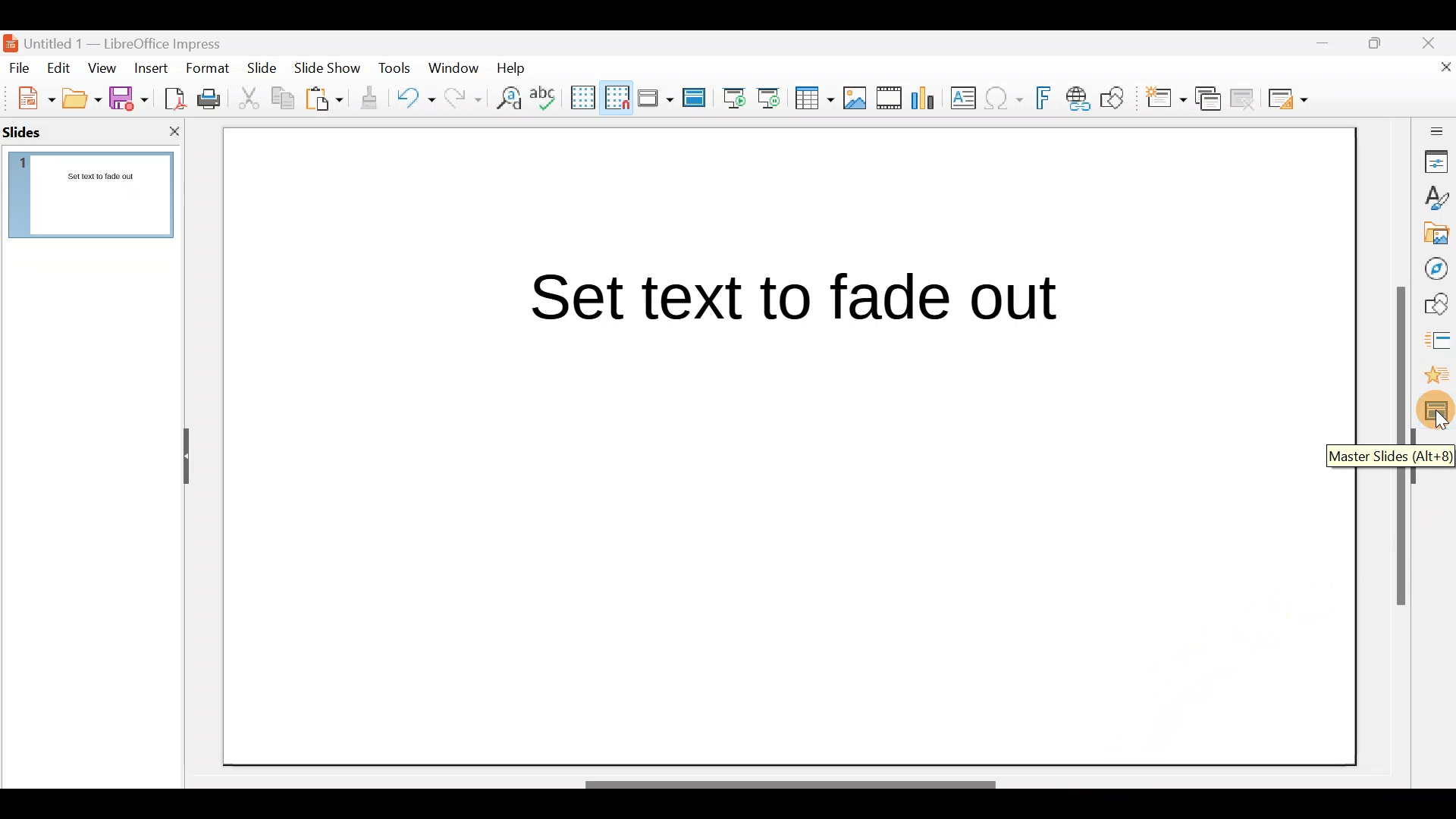 Image resolution: width=1456 pixels, height=819 pixels. Describe the element at coordinates (1116, 99) in the screenshot. I see `Show draw functions` at that location.